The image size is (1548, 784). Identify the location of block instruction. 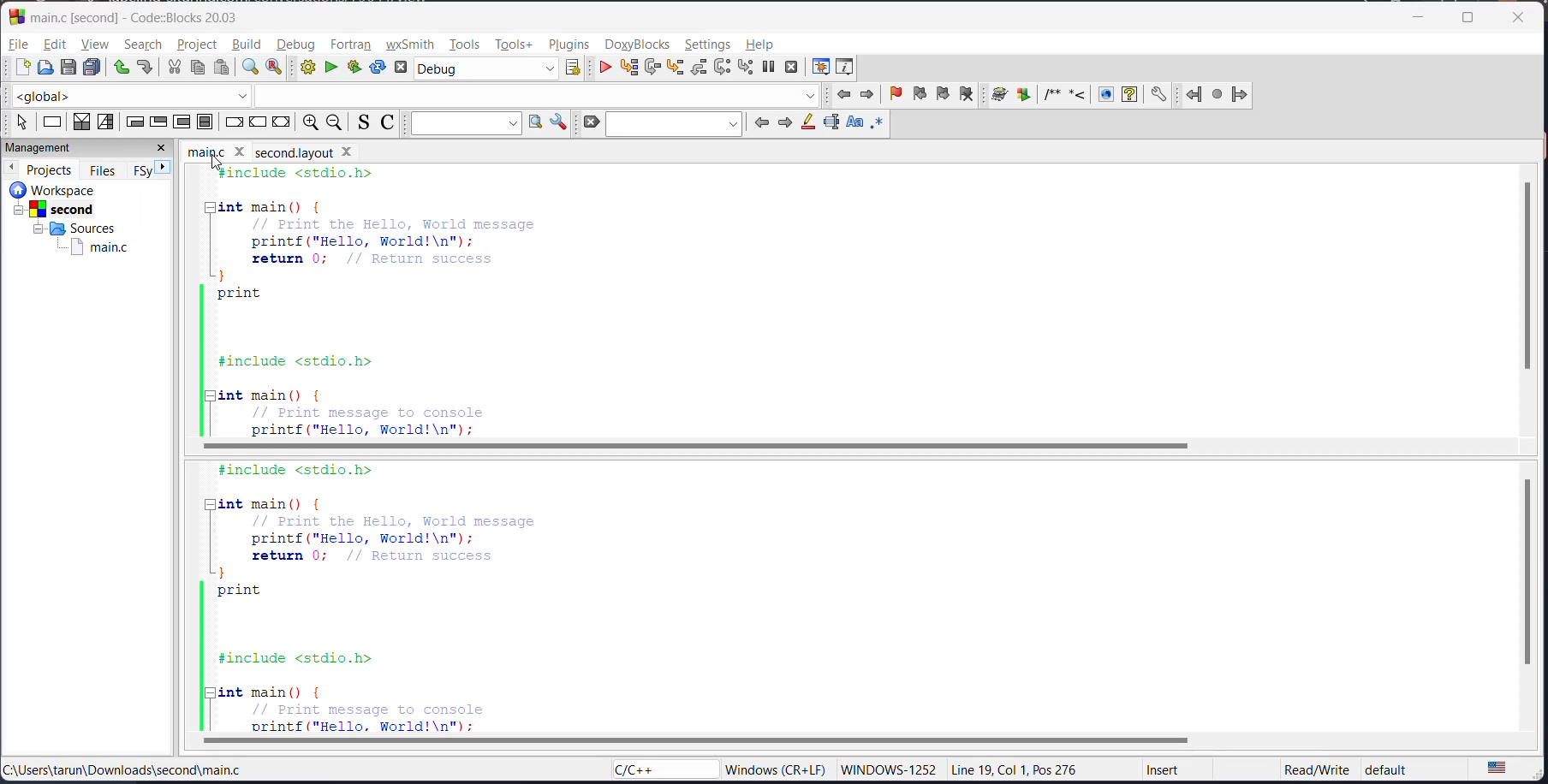
(205, 122).